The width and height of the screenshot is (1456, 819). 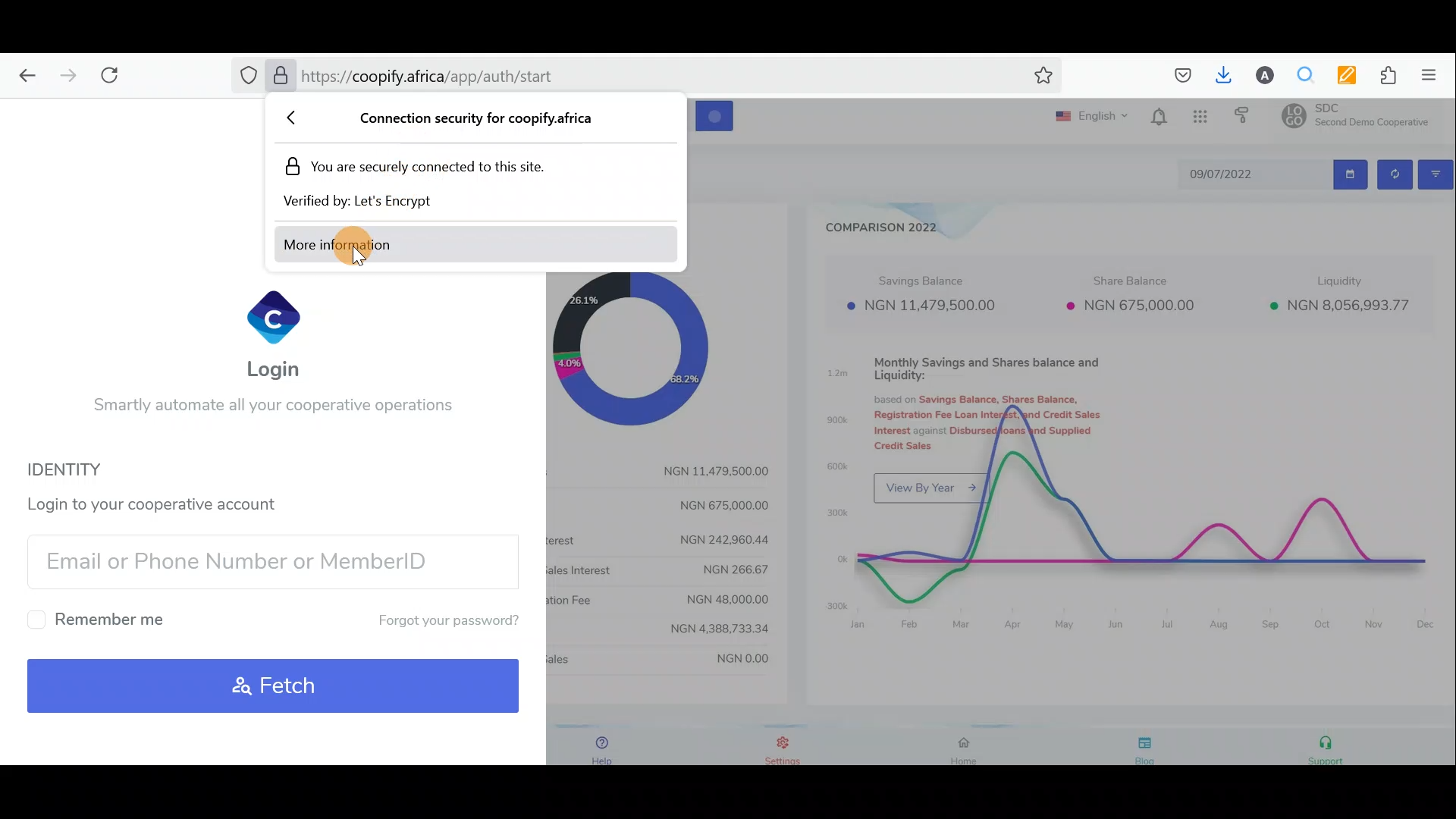 I want to click on Multiple search & highlight, so click(x=1300, y=76).